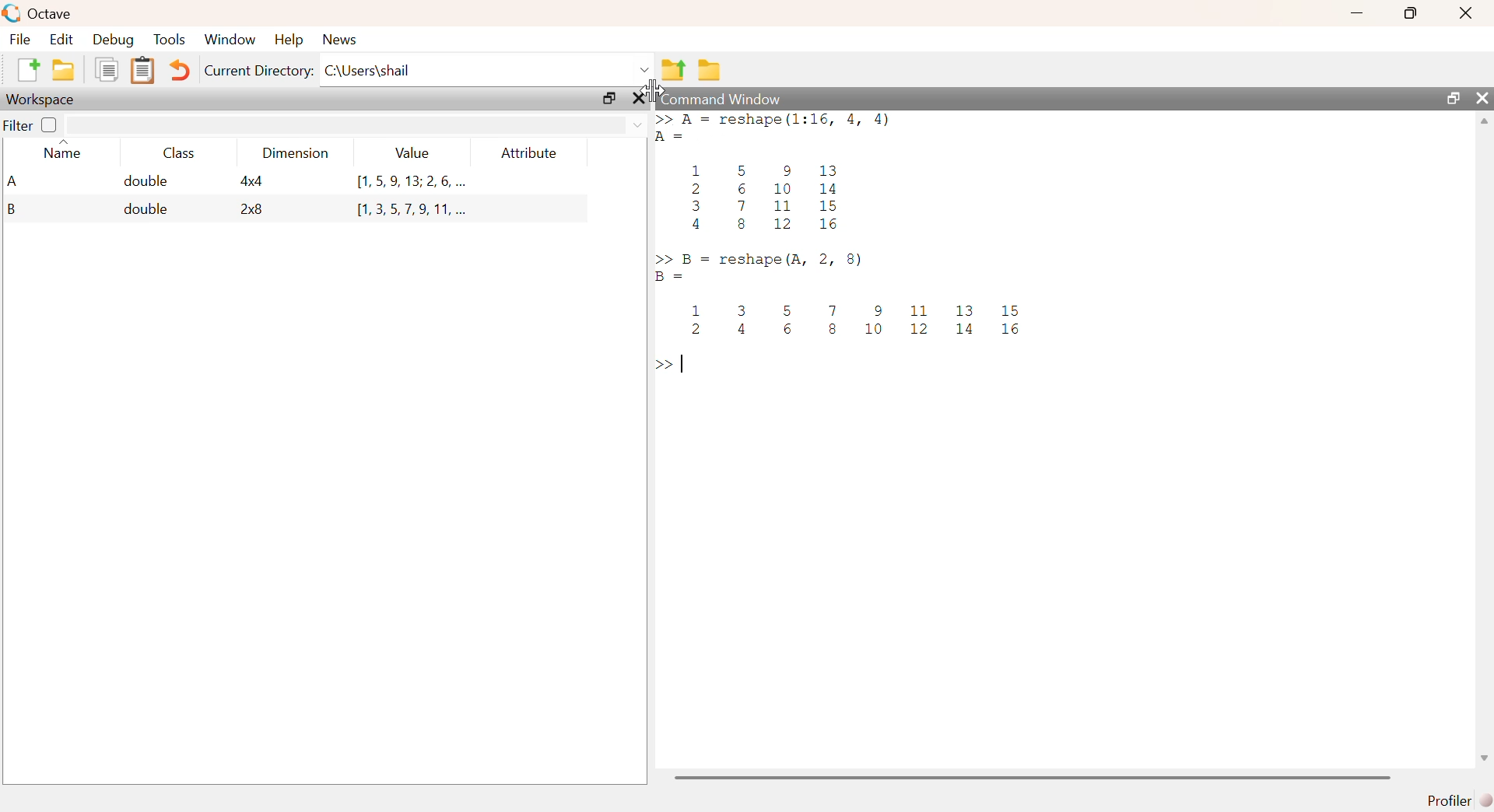 The height and width of the screenshot is (812, 1494). Describe the element at coordinates (232, 39) in the screenshot. I see `window` at that location.